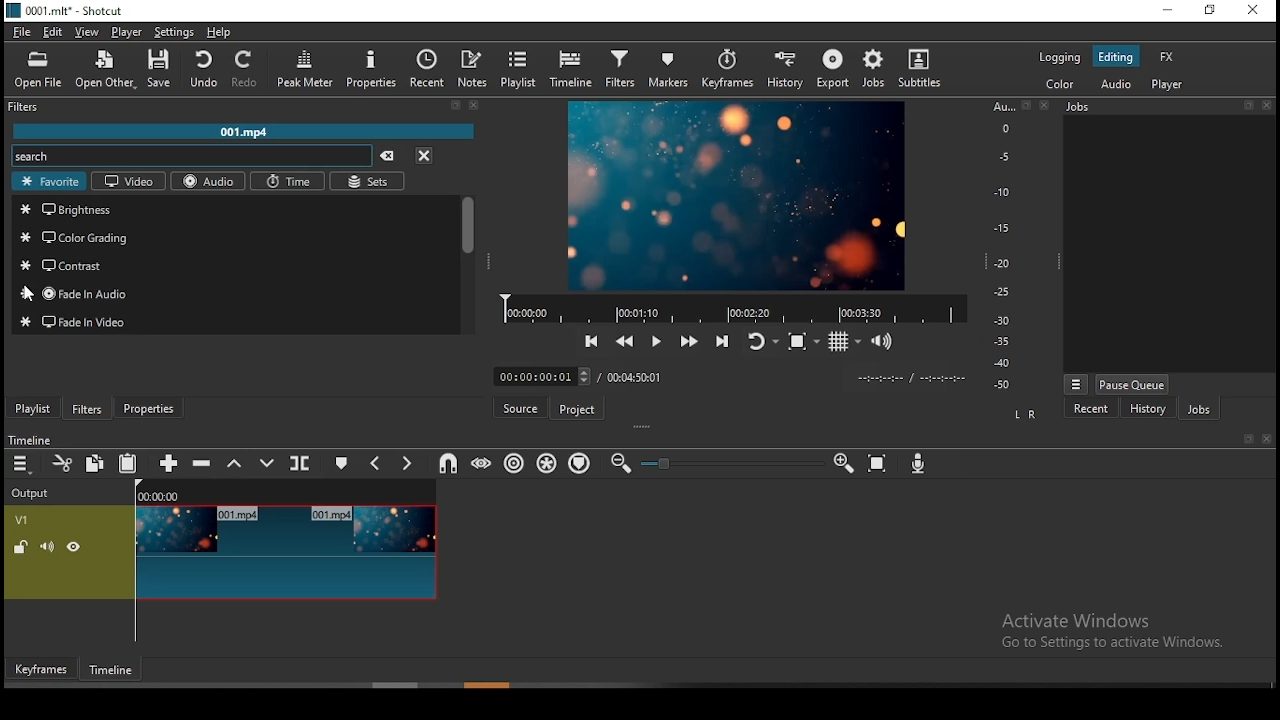 This screenshot has width=1280, height=720. I want to click on volume control, so click(882, 341).